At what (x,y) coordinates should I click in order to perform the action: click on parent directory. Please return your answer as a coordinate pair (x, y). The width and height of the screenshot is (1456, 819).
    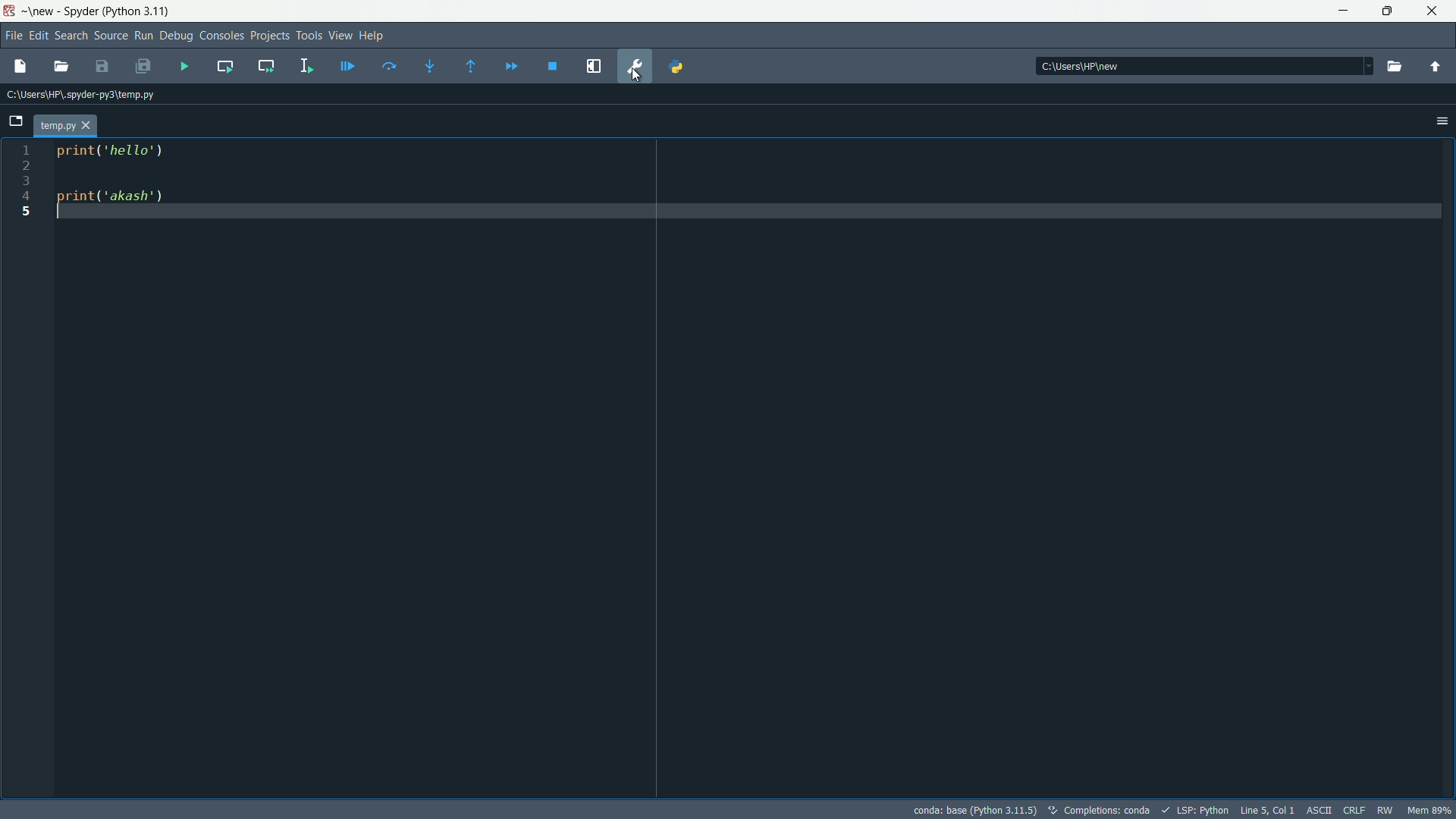
    Looking at the image, I should click on (1435, 69).